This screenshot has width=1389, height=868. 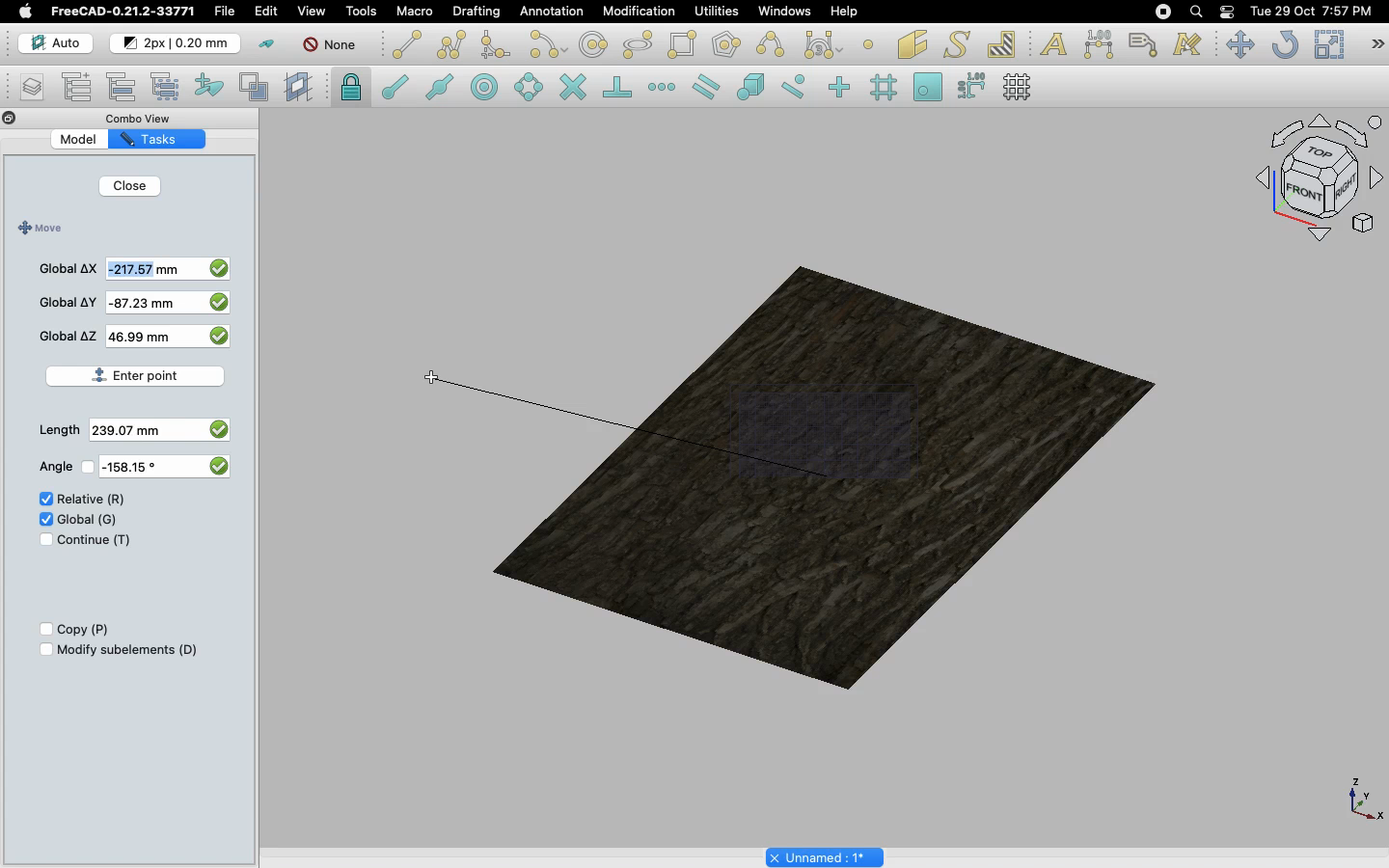 I want to click on Global X, so click(x=68, y=266).